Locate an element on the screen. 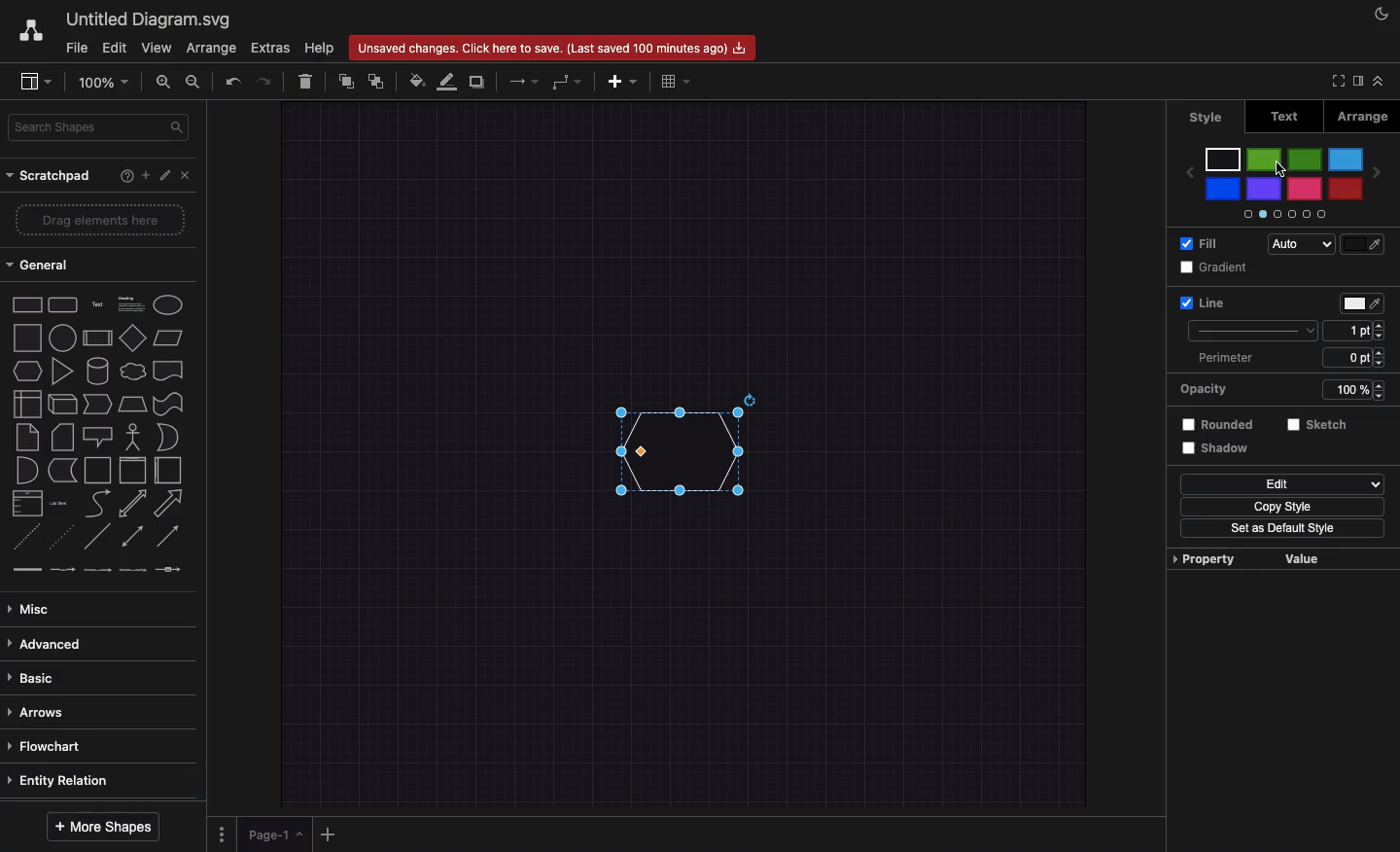 The height and width of the screenshot is (852, 1400). To front is located at coordinates (346, 83).